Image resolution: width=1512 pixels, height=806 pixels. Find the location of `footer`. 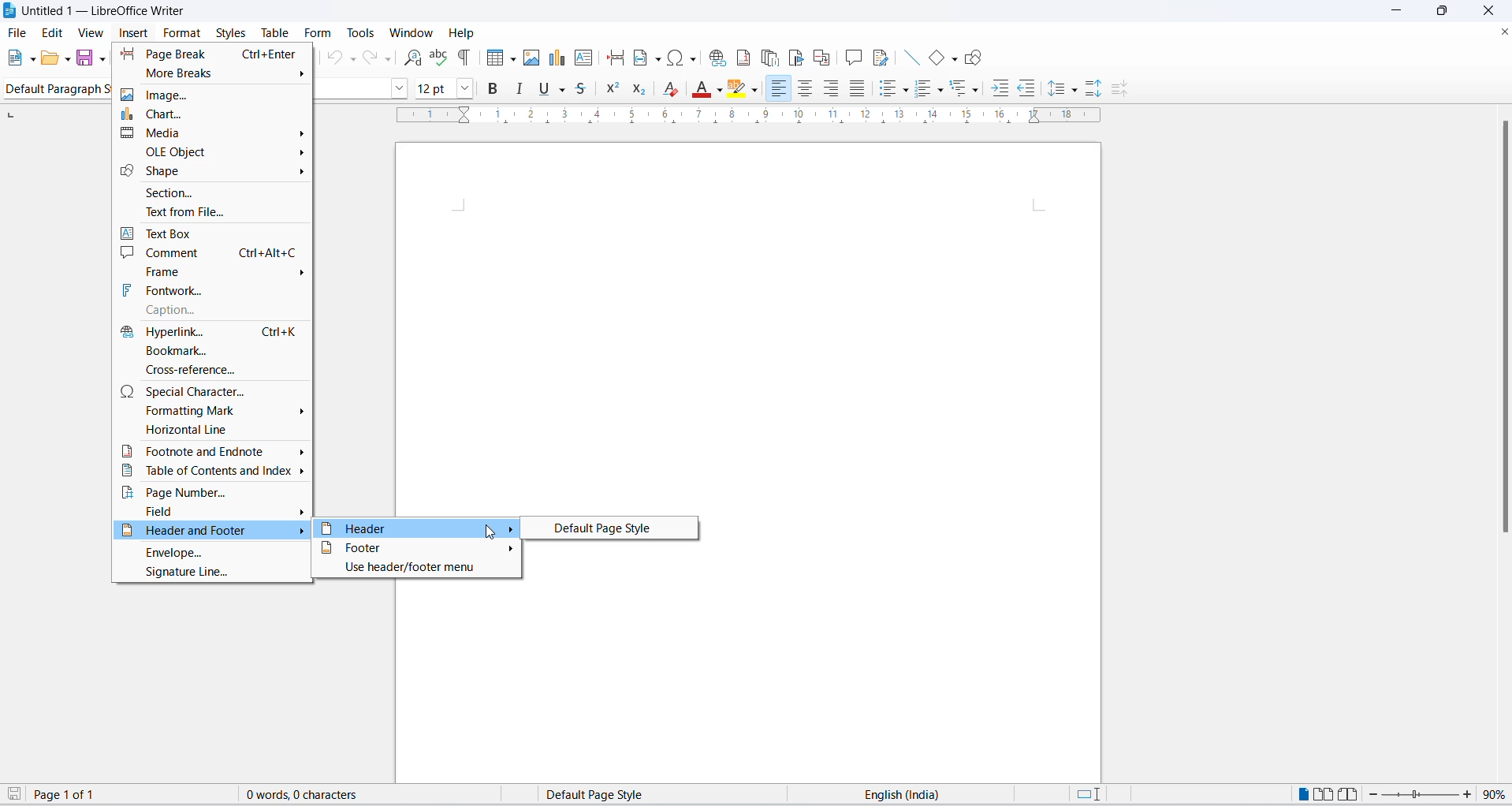

footer is located at coordinates (416, 548).